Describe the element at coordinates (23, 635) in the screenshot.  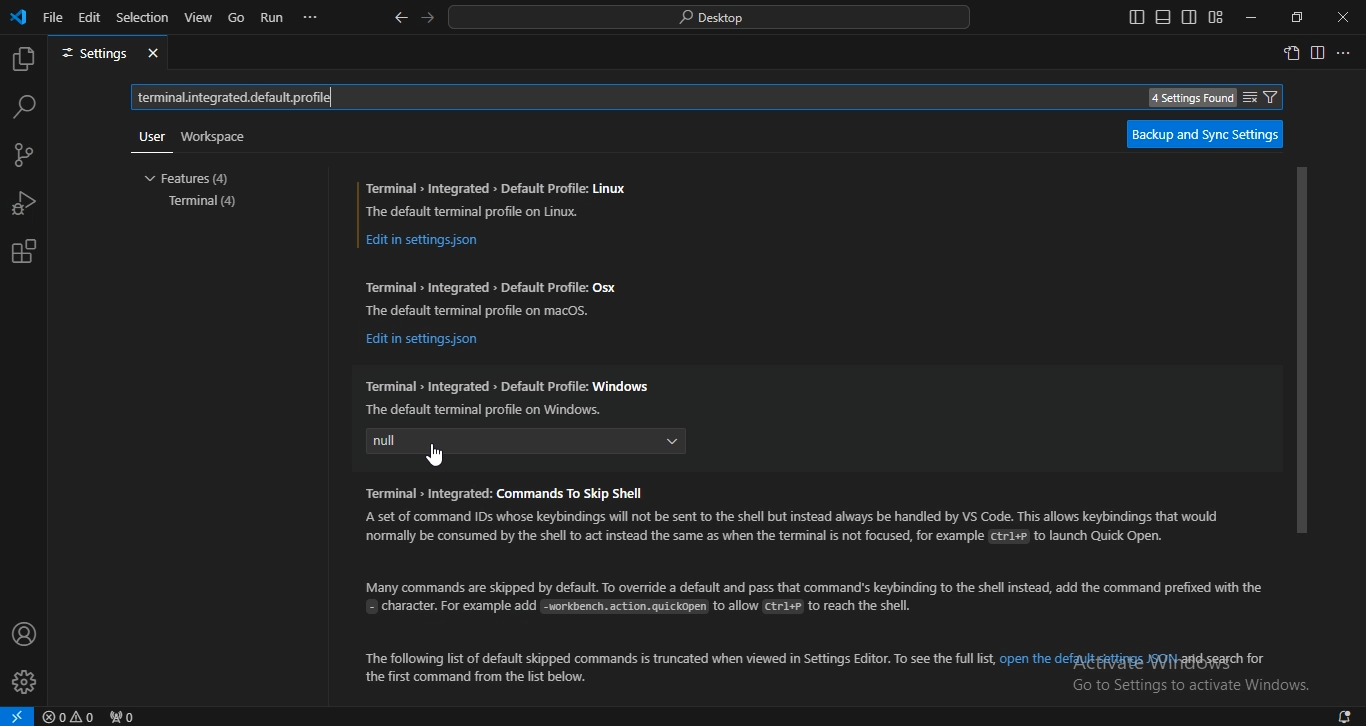
I see `account` at that location.